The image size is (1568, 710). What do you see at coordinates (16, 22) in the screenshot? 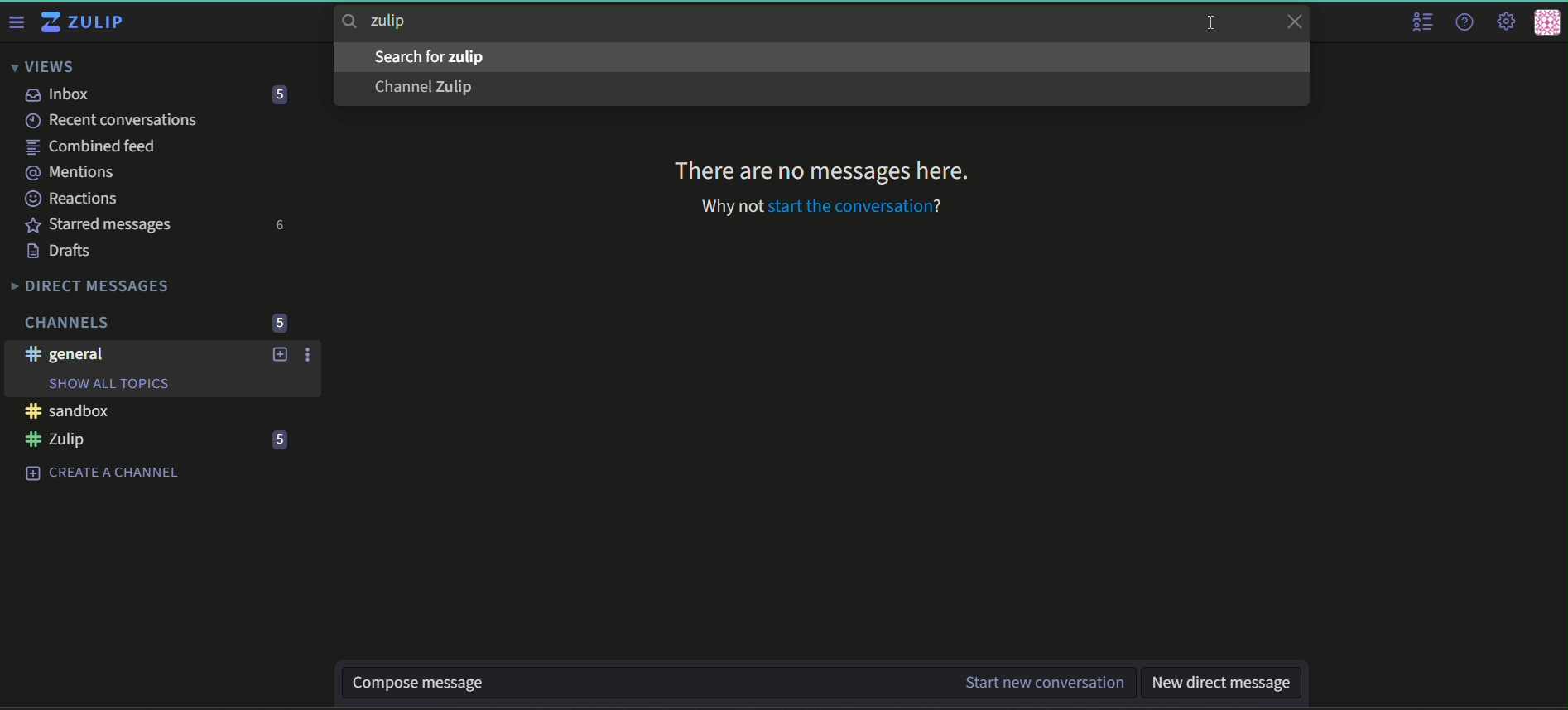
I see `Menu` at bounding box center [16, 22].